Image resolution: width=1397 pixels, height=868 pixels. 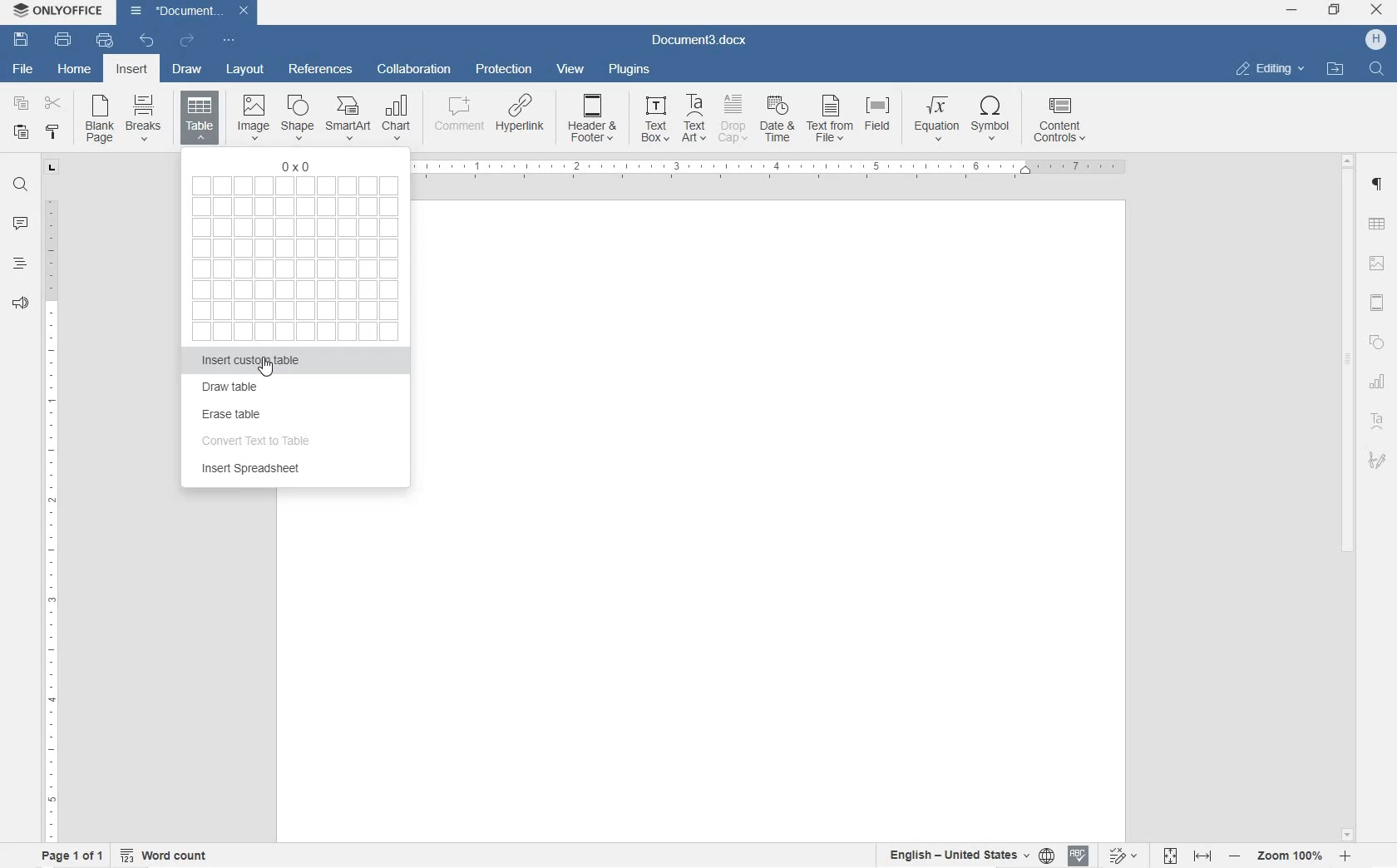 What do you see at coordinates (347, 120) in the screenshot?
I see `SmartArt` at bounding box center [347, 120].